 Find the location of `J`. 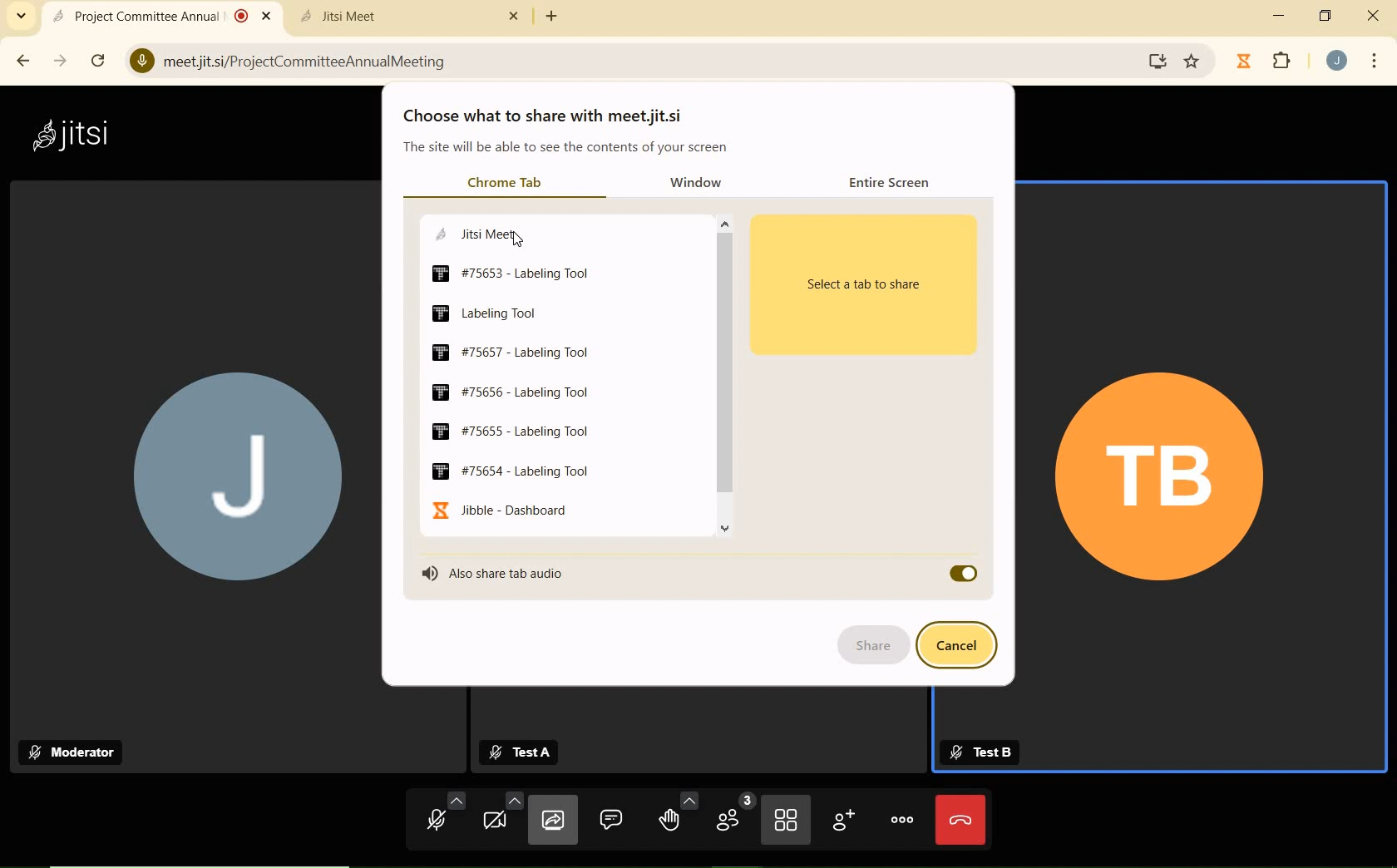

J is located at coordinates (187, 452).